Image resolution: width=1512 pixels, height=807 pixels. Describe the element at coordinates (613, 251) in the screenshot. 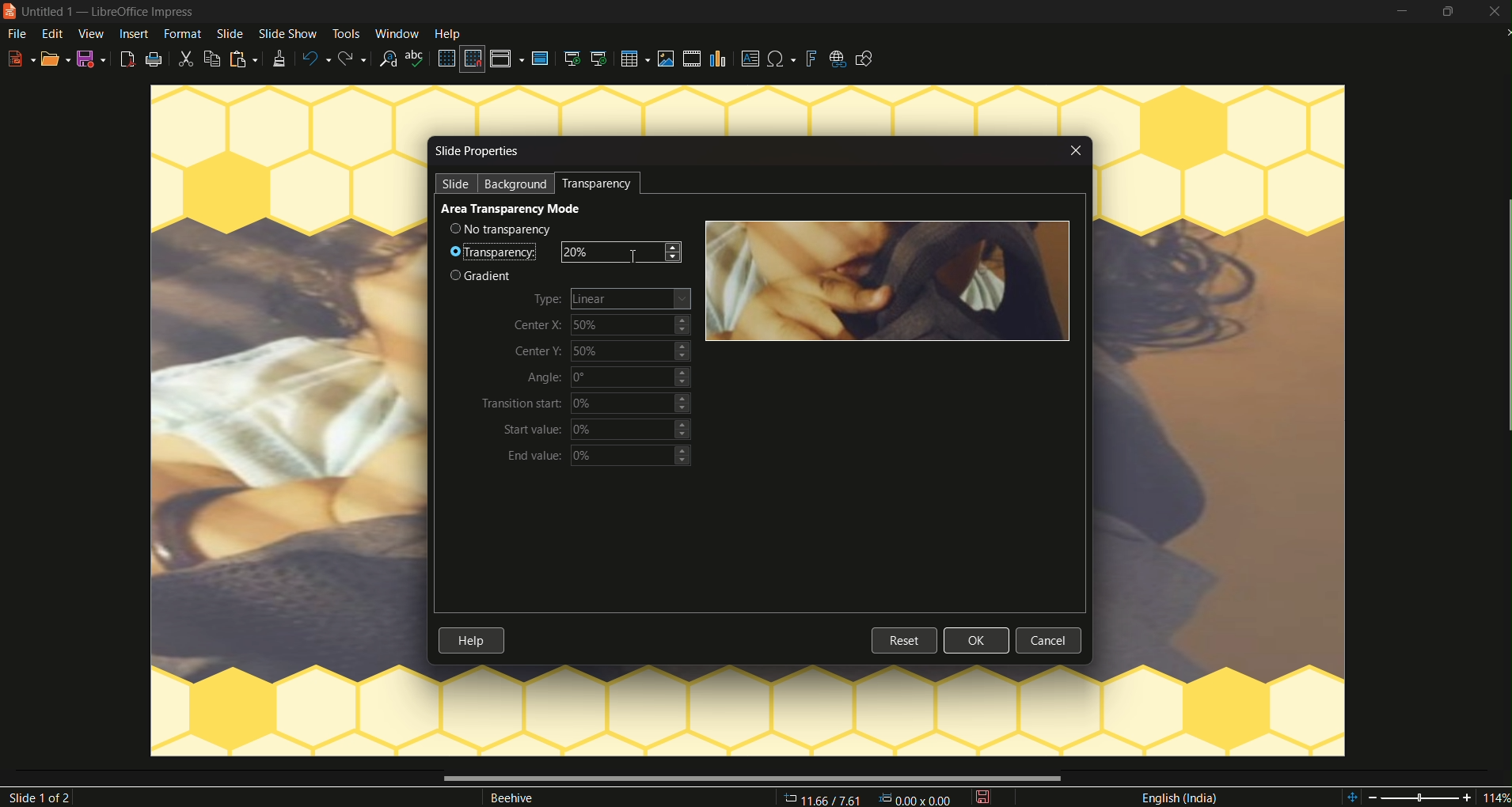

I see `20%` at that location.